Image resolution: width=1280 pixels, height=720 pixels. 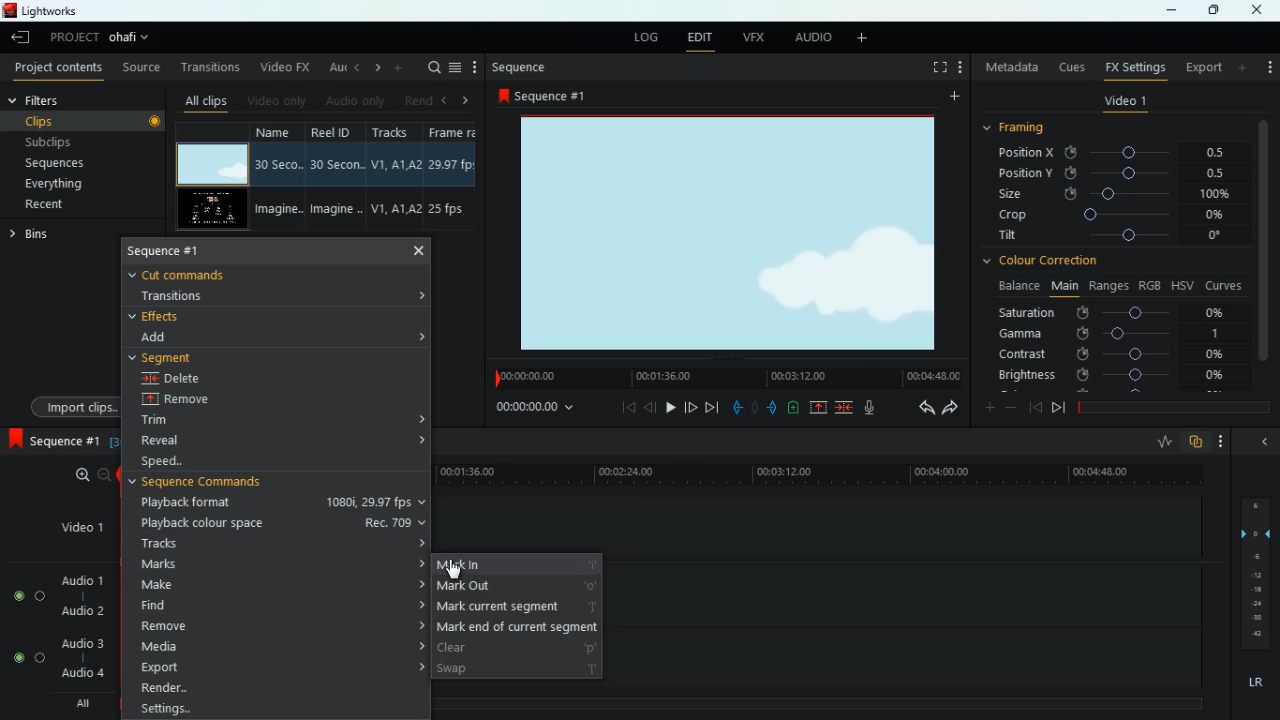 I want to click on - 12 (layer), so click(x=1258, y=574).